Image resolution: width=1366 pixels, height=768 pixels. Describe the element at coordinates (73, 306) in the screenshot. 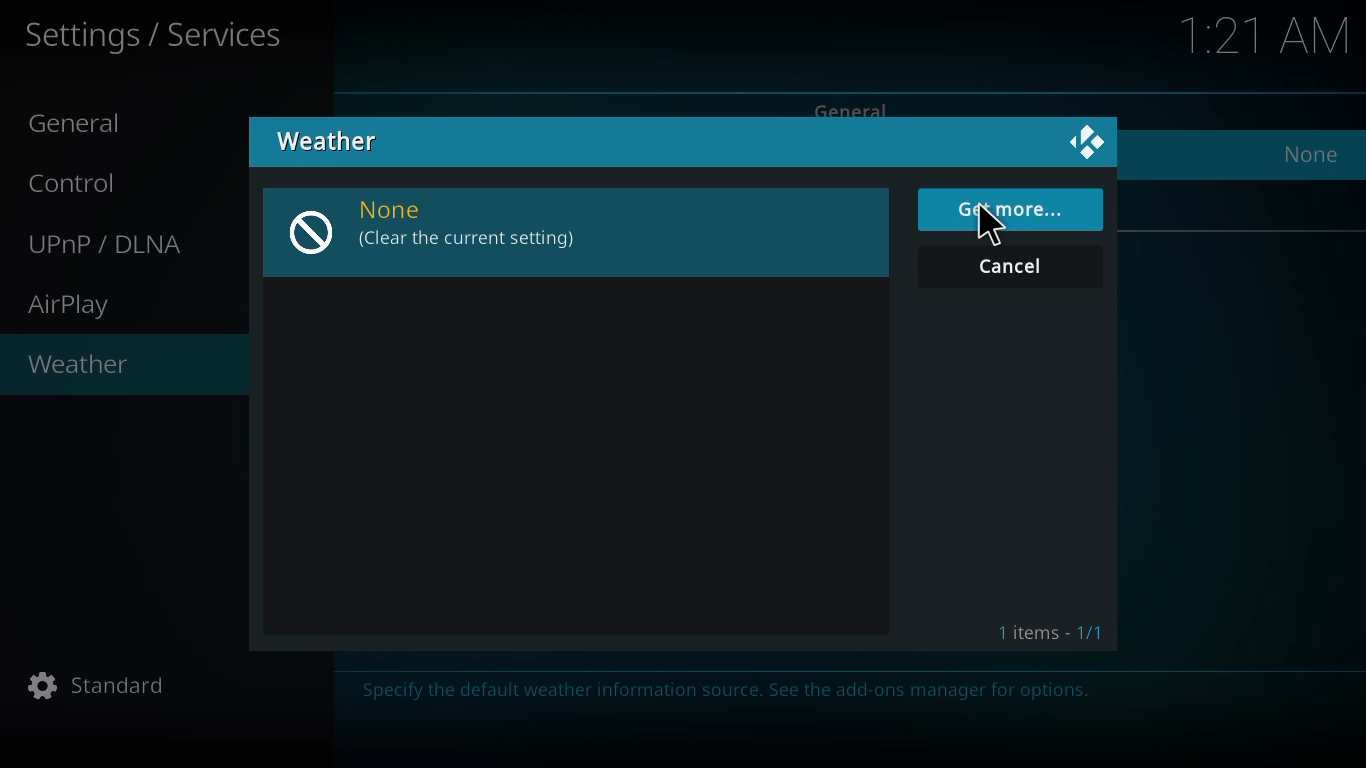

I see `airplay` at that location.